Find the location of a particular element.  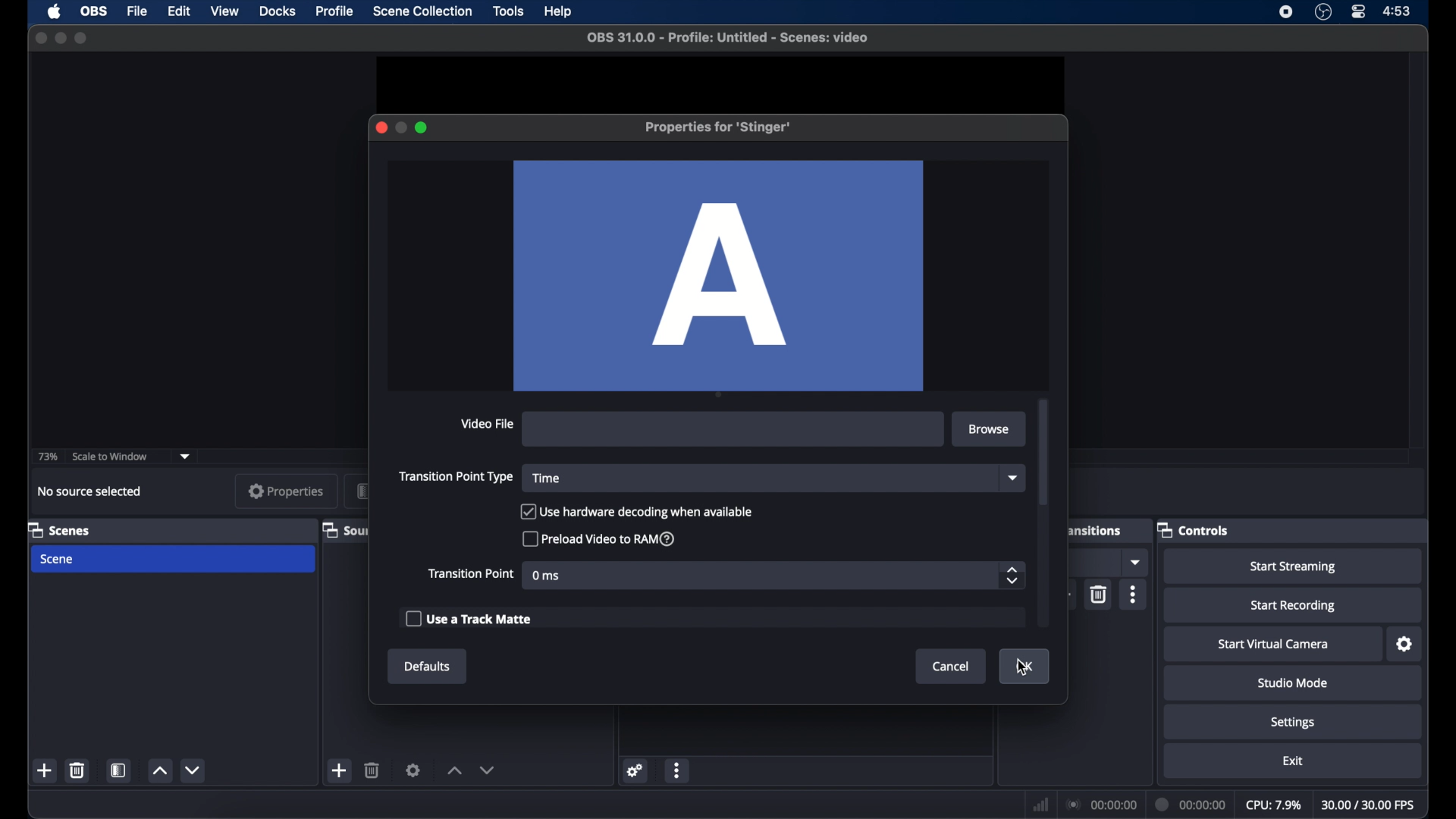

scroll box is located at coordinates (1043, 452).